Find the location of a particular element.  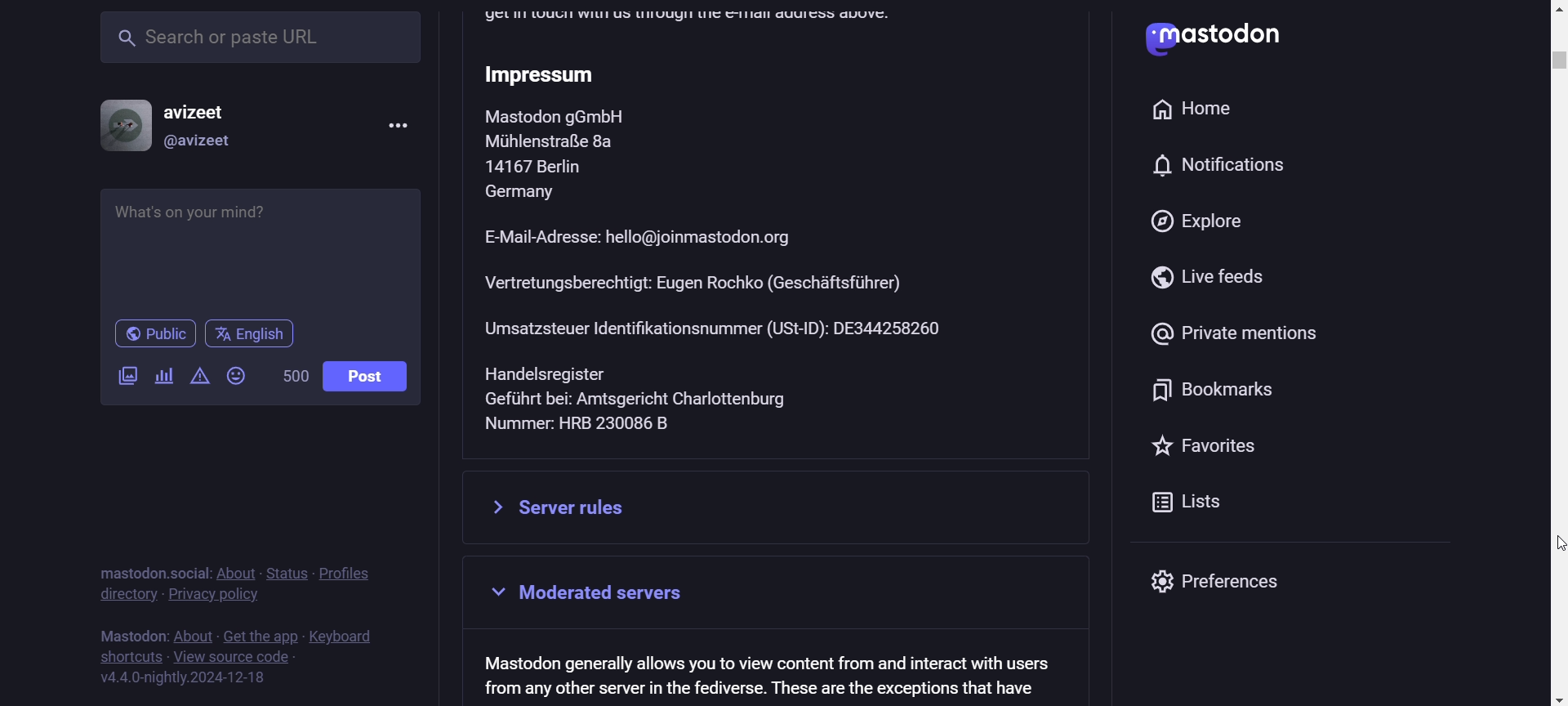

about is located at coordinates (192, 637).